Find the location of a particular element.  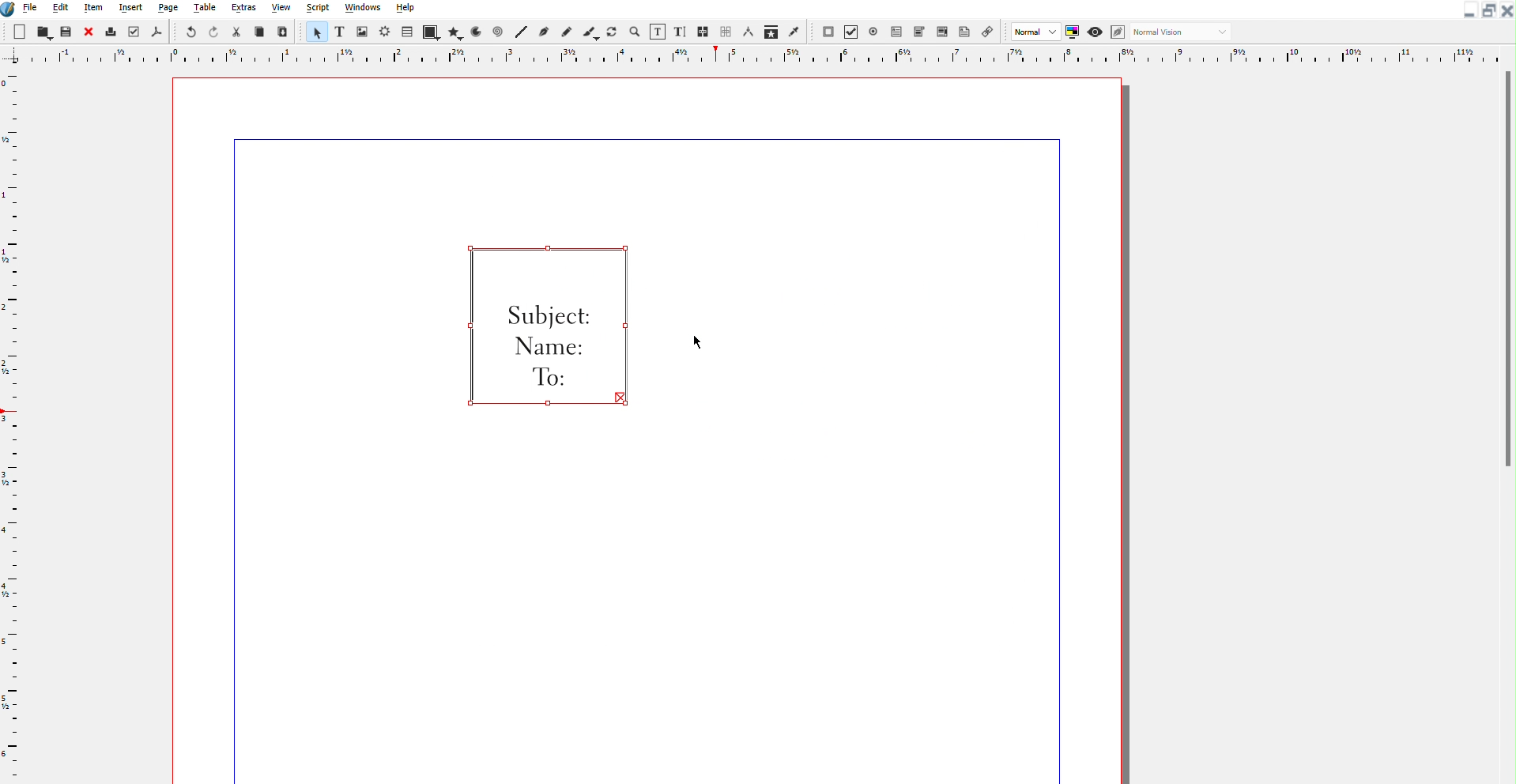

Print is located at coordinates (109, 32).